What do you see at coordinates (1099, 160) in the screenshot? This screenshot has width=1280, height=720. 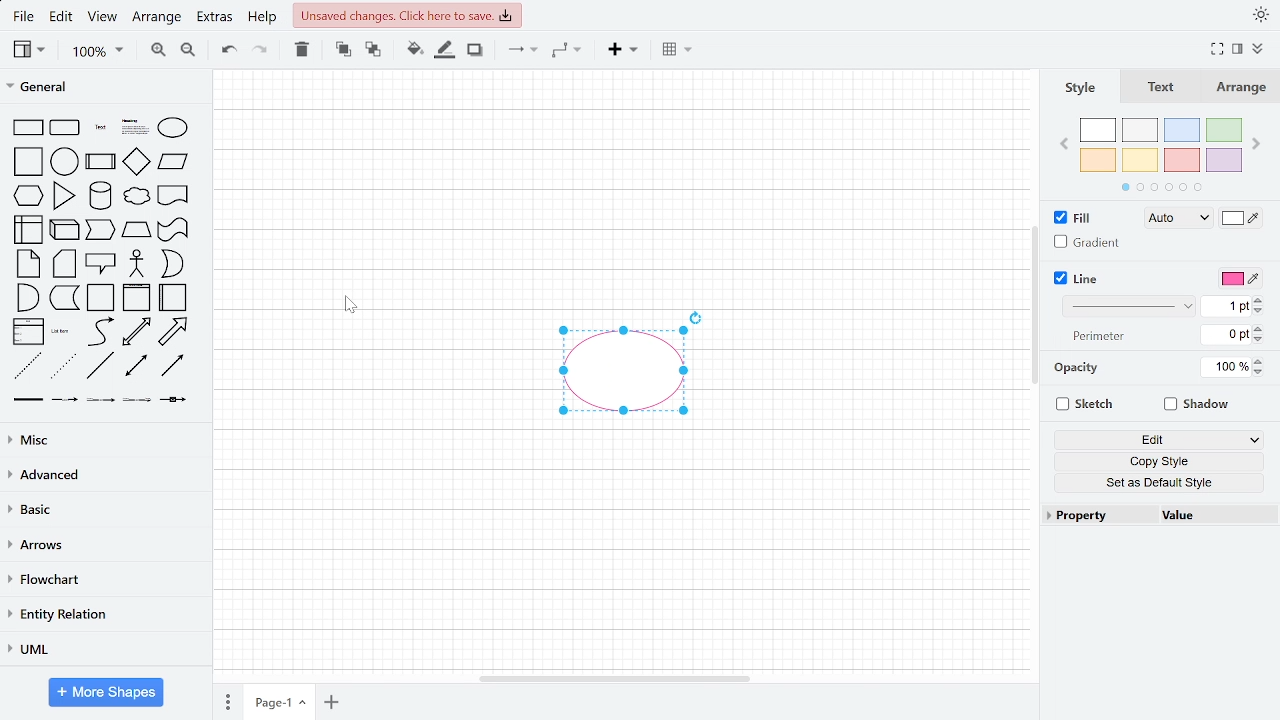 I see `orange` at bounding box center [1099, 160].